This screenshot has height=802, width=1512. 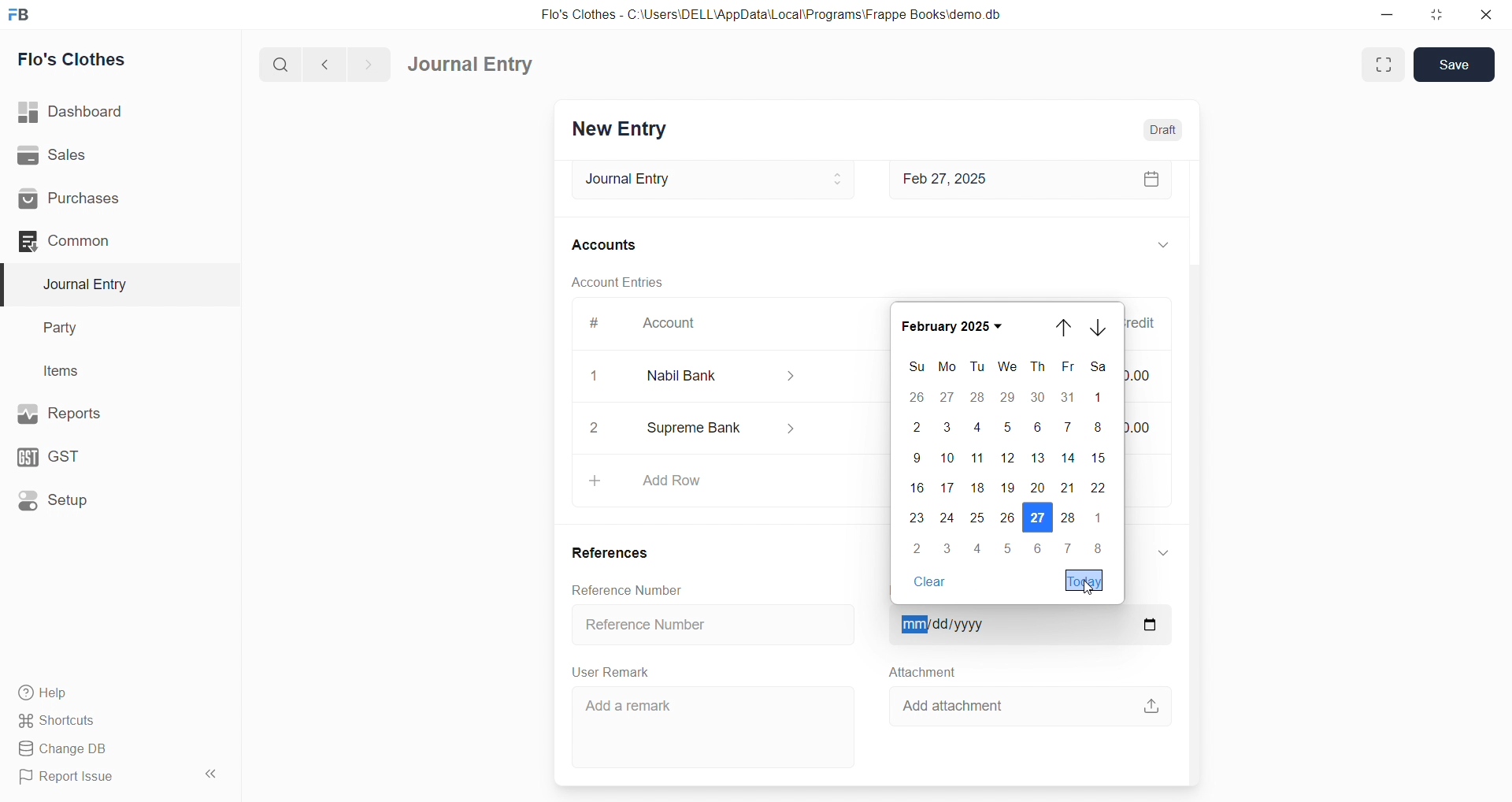 What do you see at coordinates (1099, 488) in the screenshot?
I see `22` at bounding box center [1099, 488].